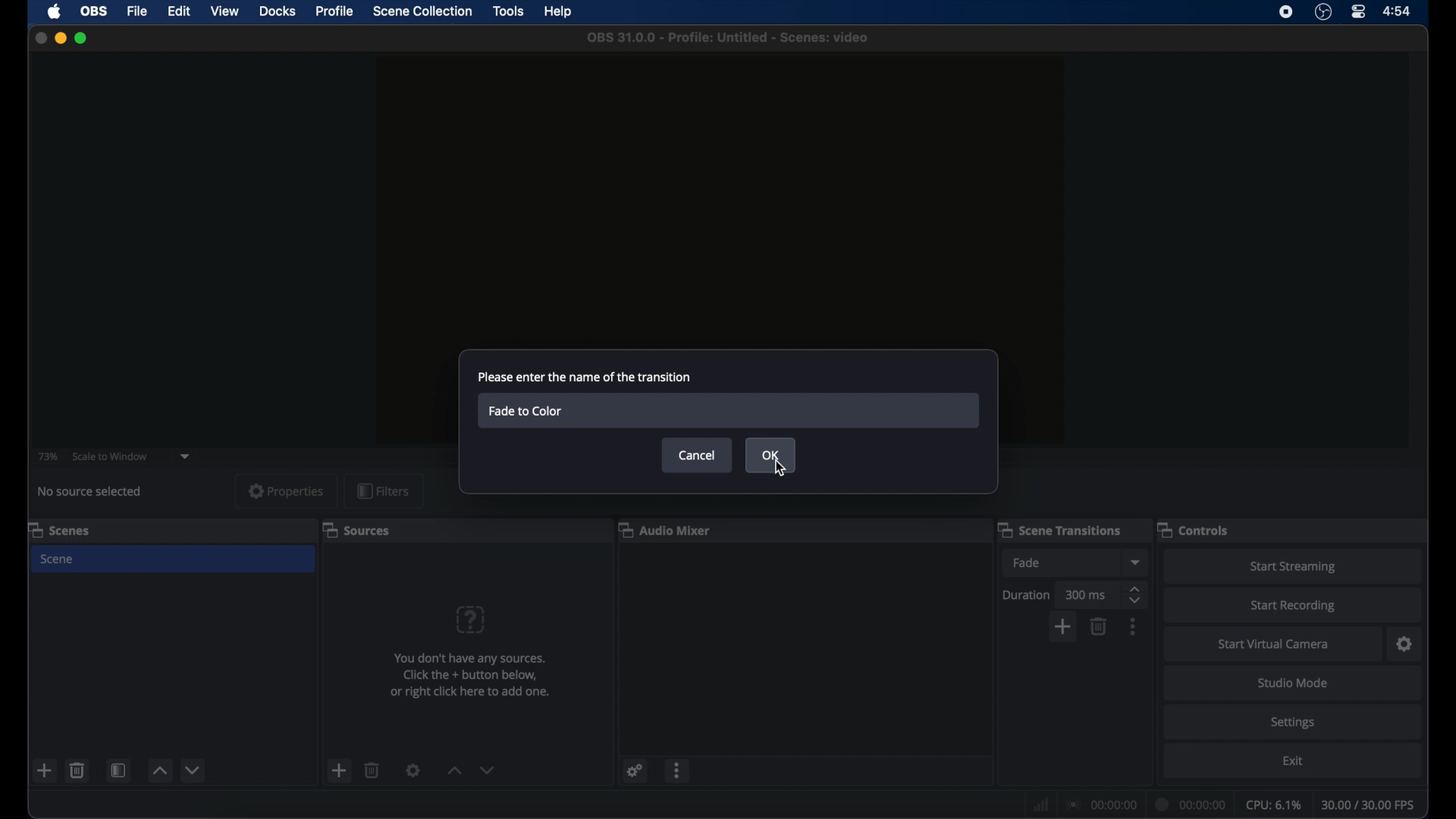 The width and height of the screenshot is (1456, 819). What do you see at coordinates (634, 770) in the screenshot?
I see `settings` at bounding box center [634, 770].